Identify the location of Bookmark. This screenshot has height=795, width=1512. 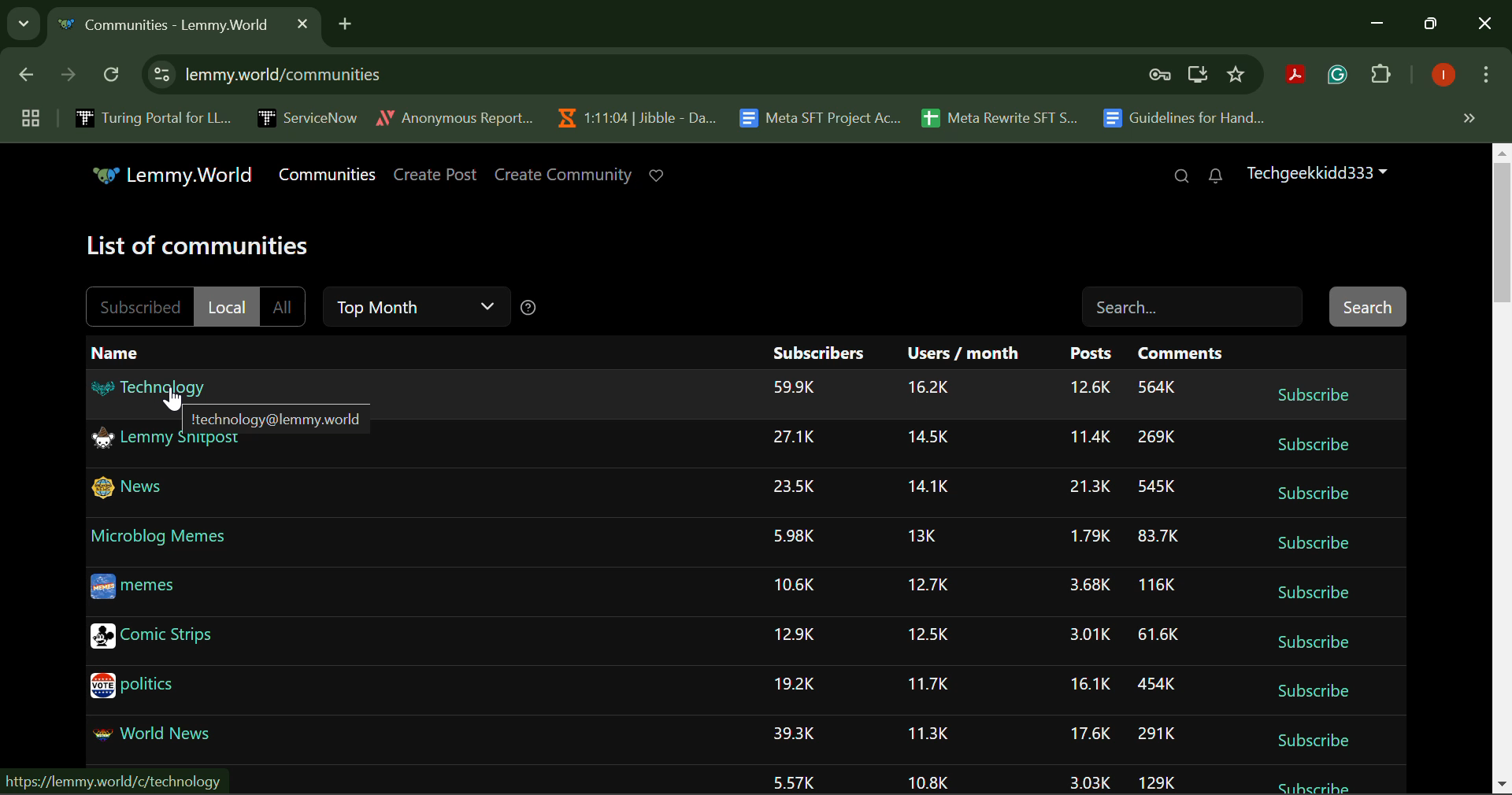
(1237, 75).